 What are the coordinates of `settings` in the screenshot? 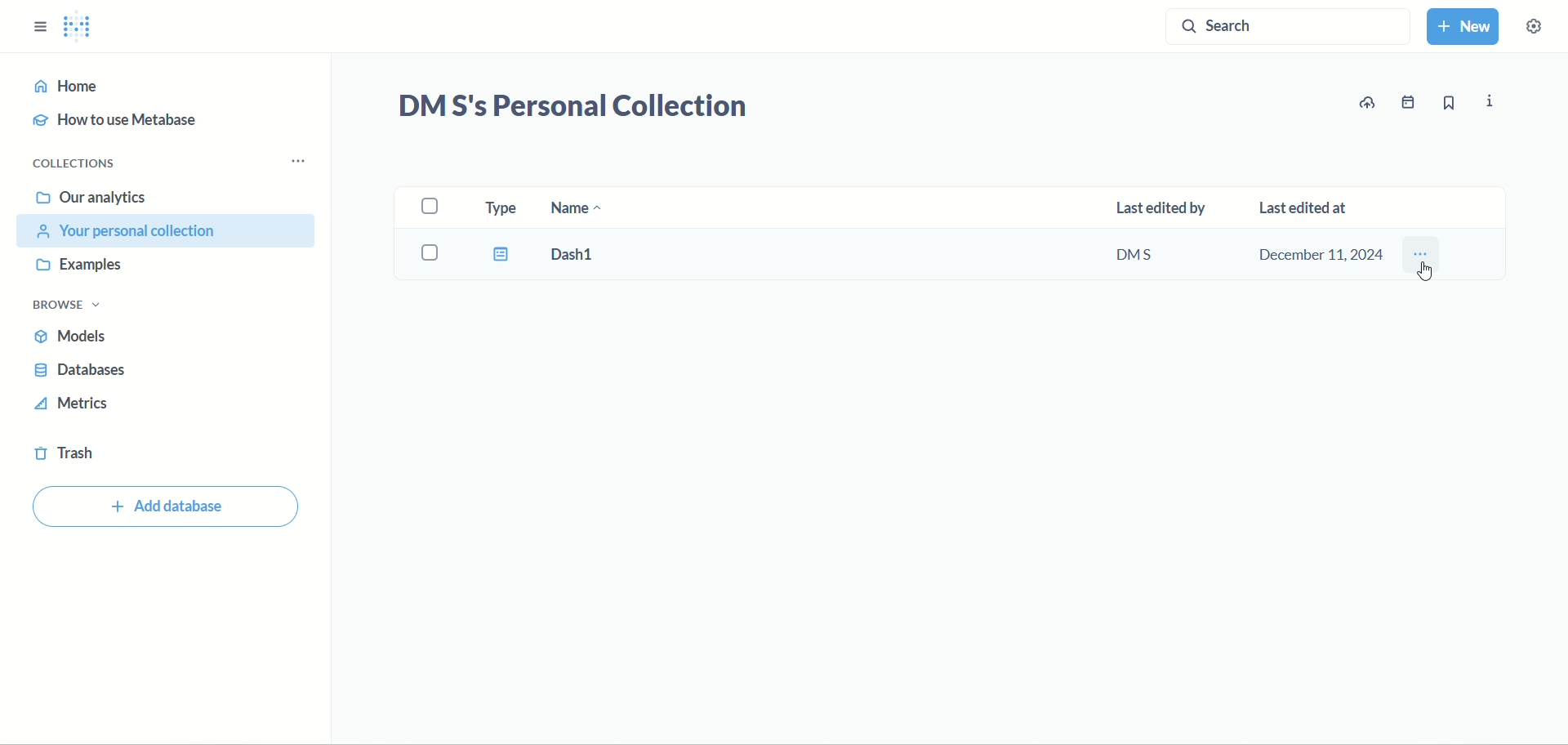 It's located at (1542, 32).